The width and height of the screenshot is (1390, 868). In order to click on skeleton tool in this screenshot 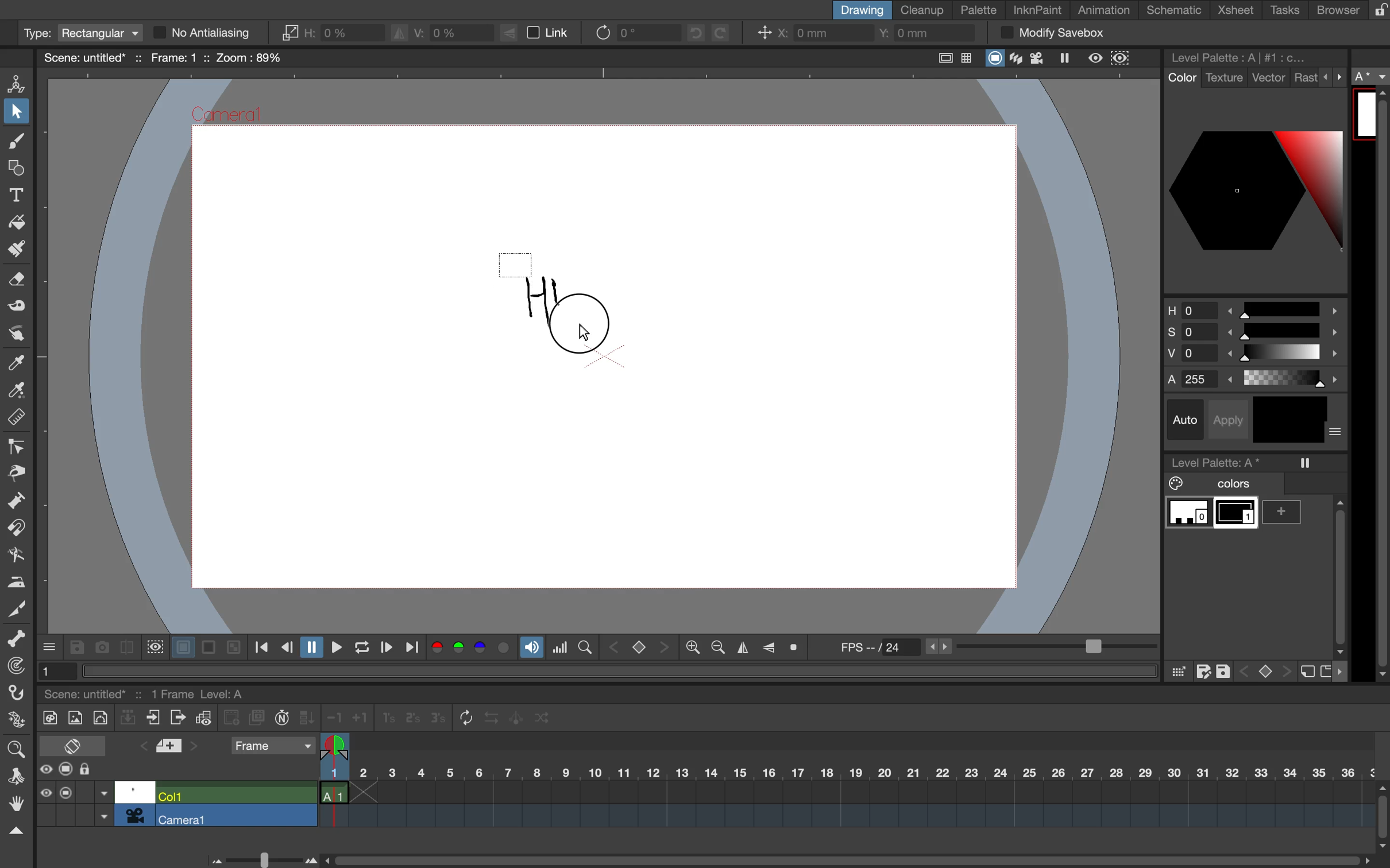, I will do `click(17, 639)`.